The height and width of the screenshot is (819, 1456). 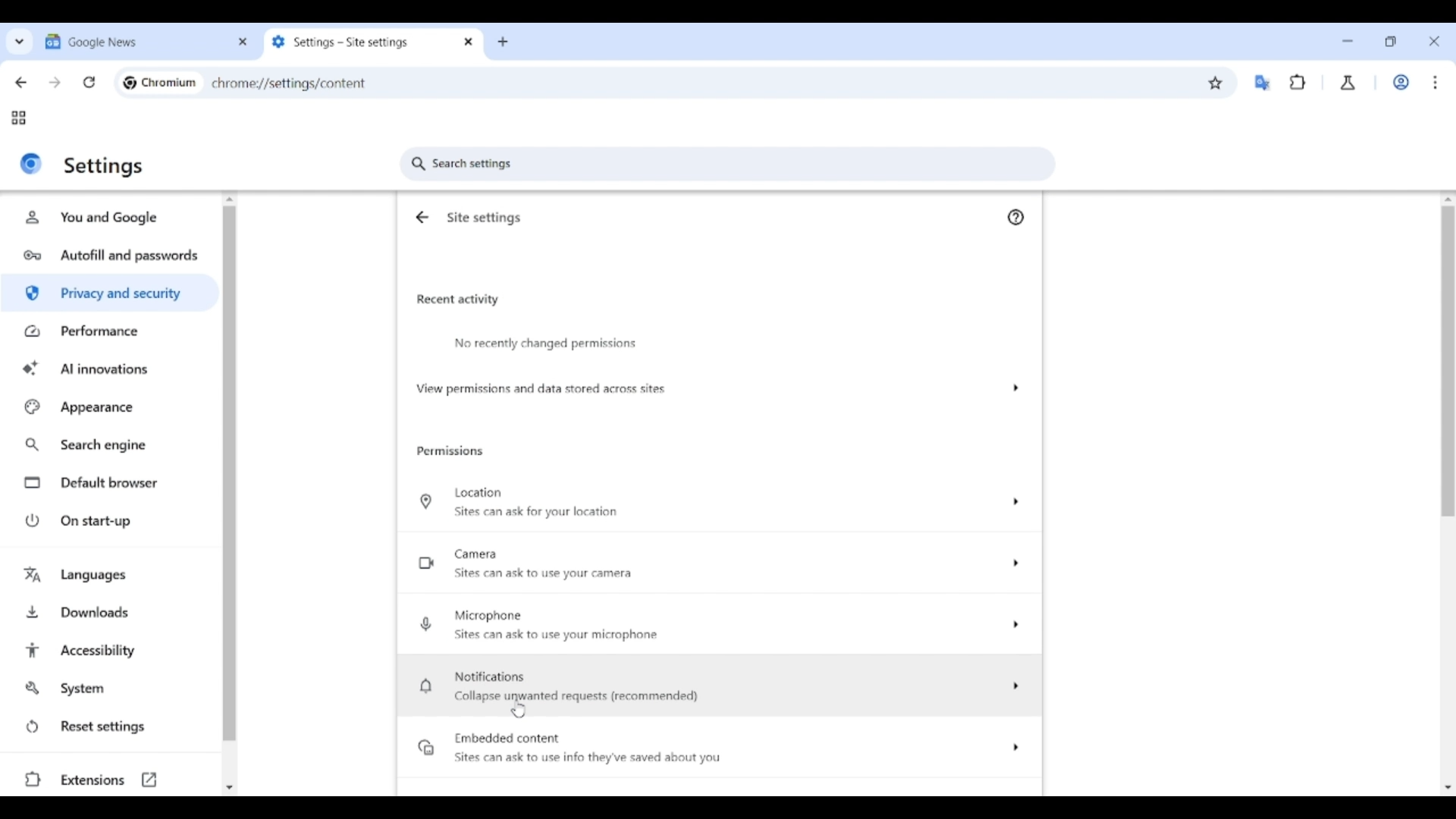 I want to click on Tab groups, so click(x=18, y=118).